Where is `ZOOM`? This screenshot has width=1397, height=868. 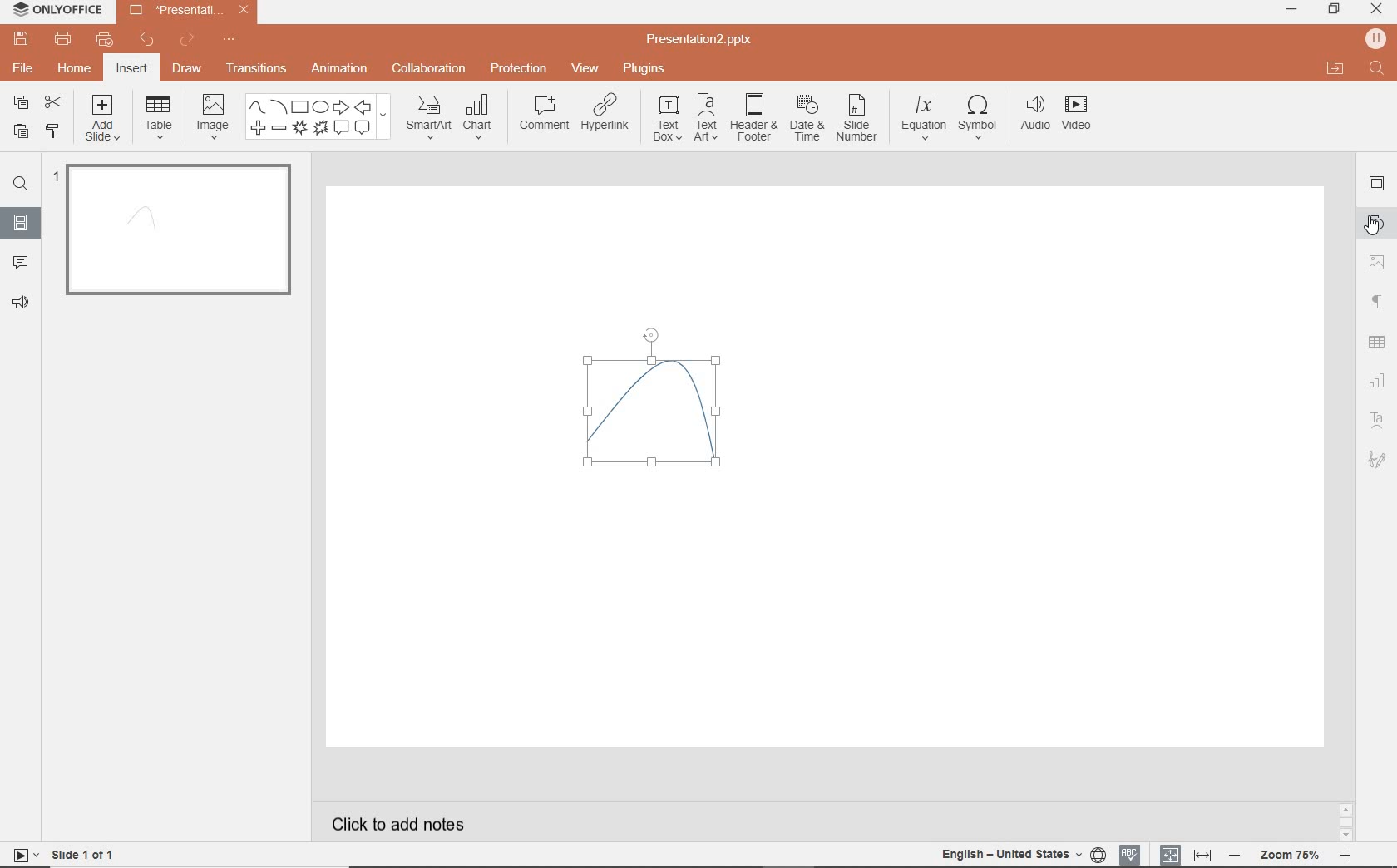
ZOOM is located at coordinates (1298, 855).